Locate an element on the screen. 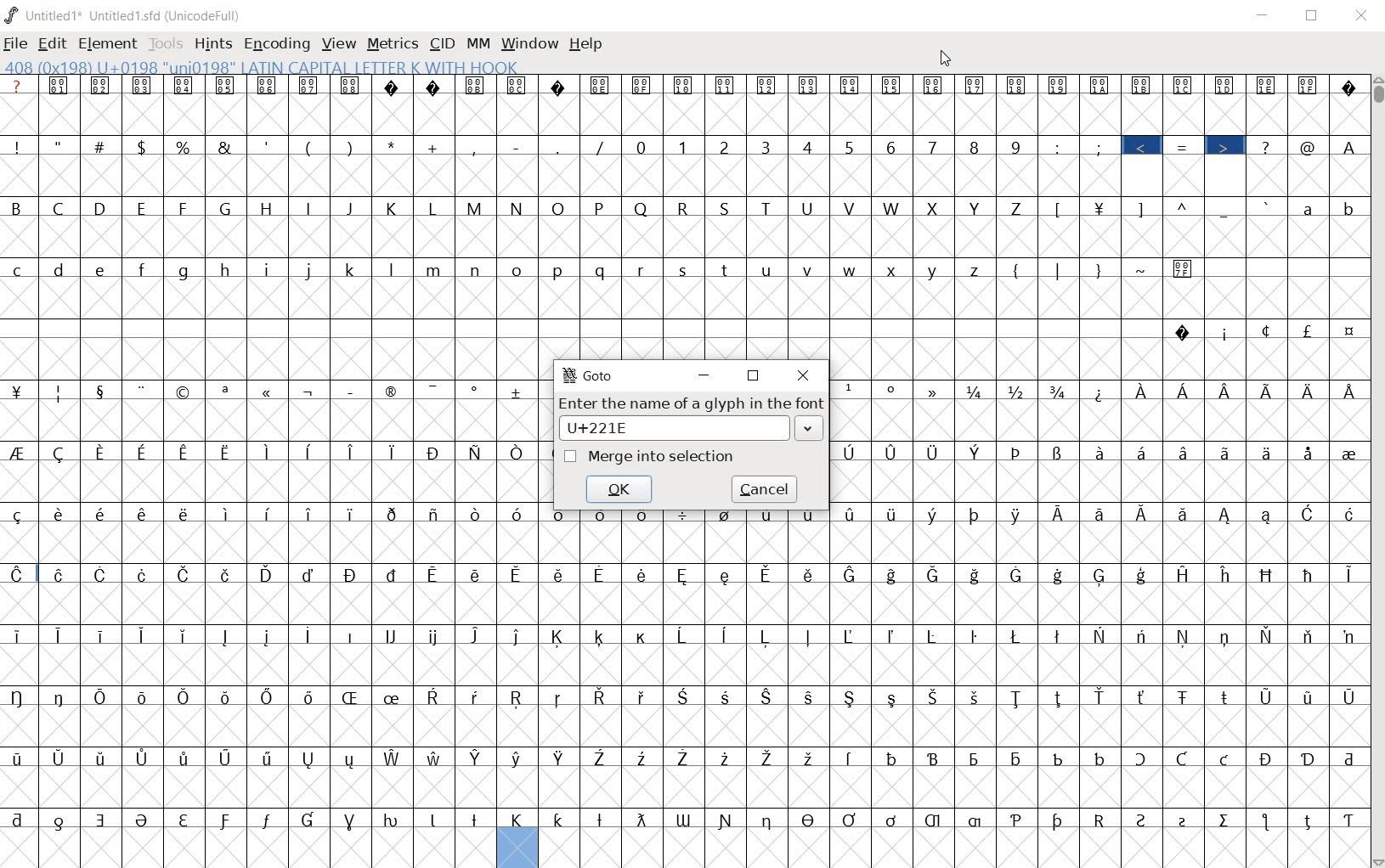 The height and width of the screenshot is (868, 1385). restore down is located at coordinates (757, 378).